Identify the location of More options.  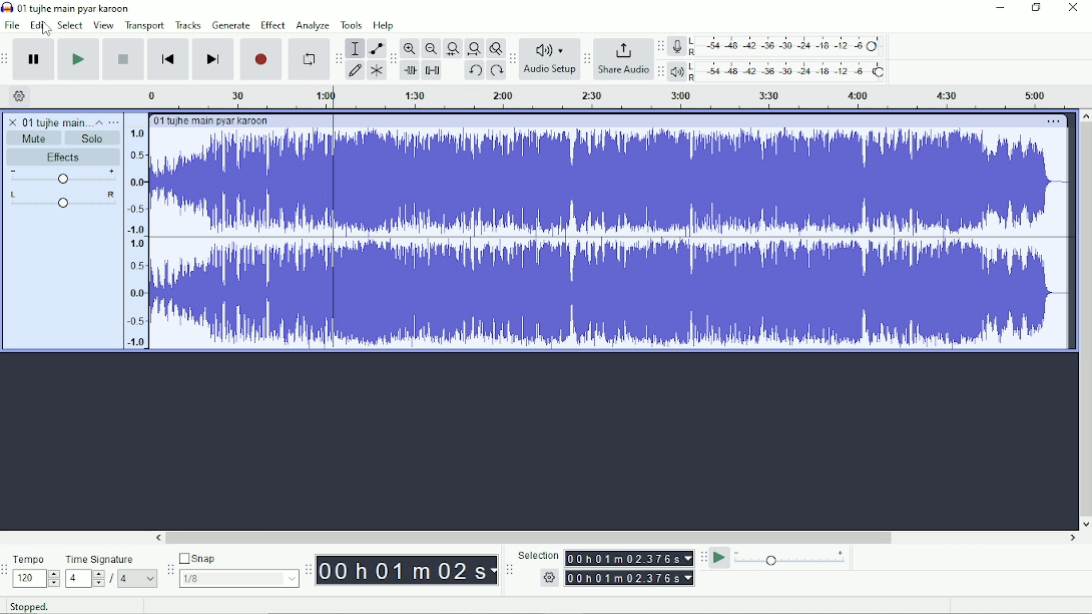
(1052, 121).